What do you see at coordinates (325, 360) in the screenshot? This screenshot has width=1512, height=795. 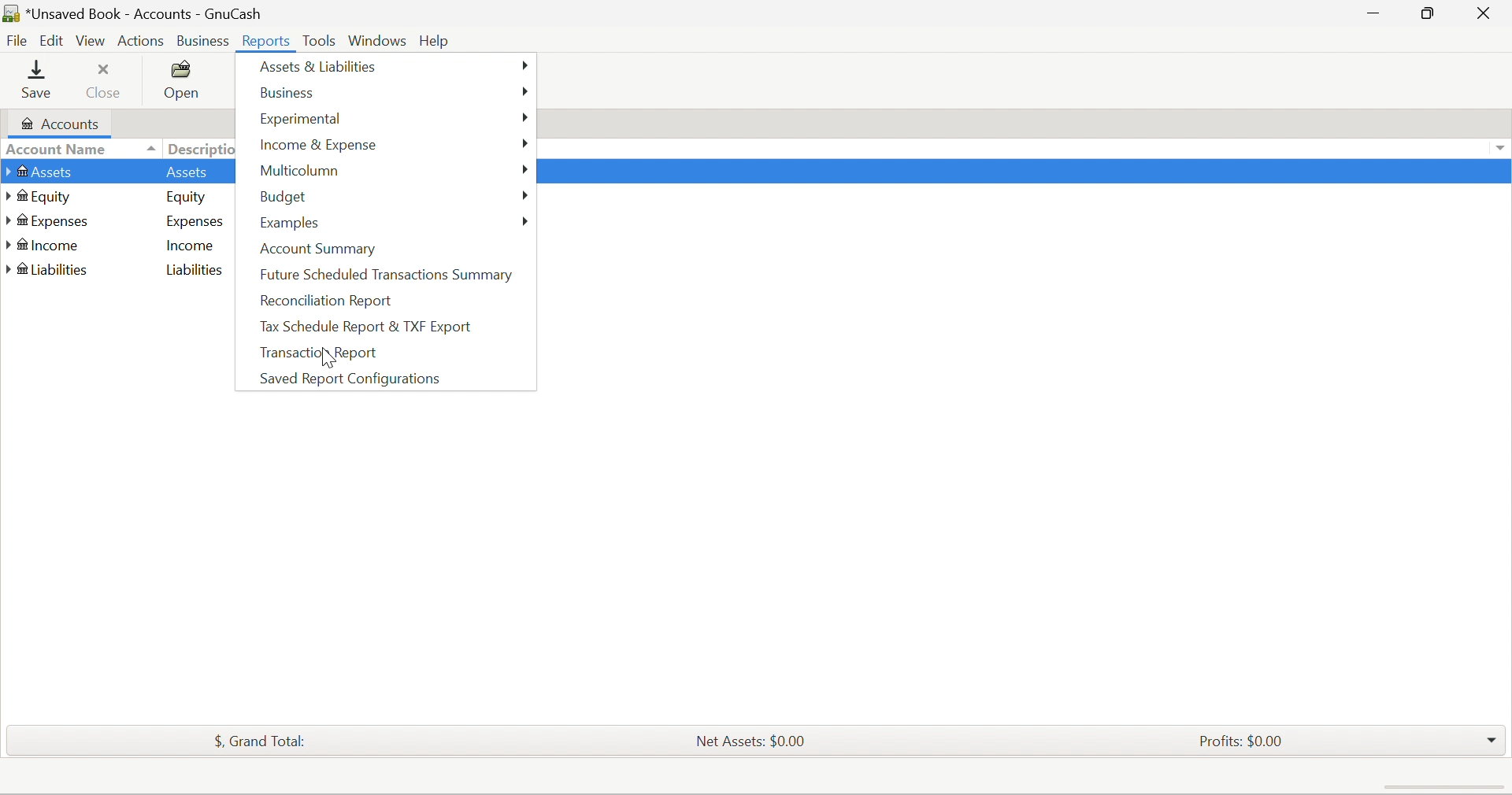 I see `cursor` at bounding box center [325, 360].